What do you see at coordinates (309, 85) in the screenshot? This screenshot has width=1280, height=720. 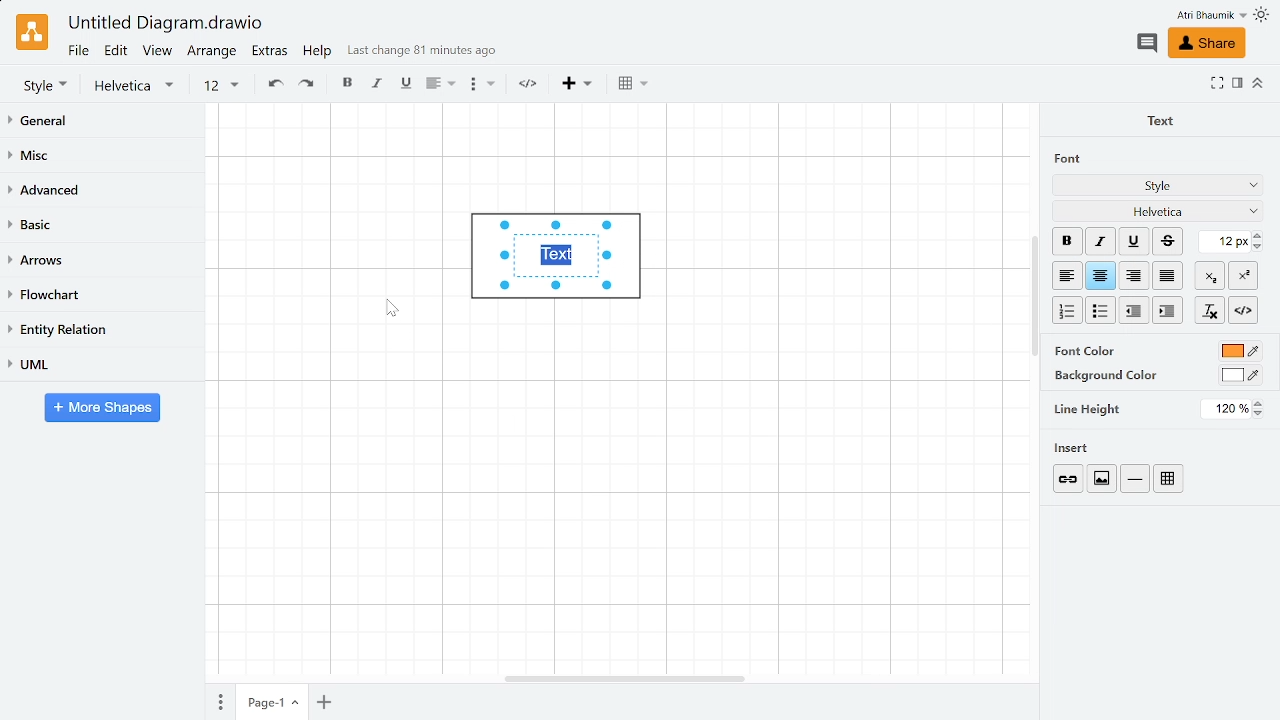 I see `redo` at bounding box center [309, 85].